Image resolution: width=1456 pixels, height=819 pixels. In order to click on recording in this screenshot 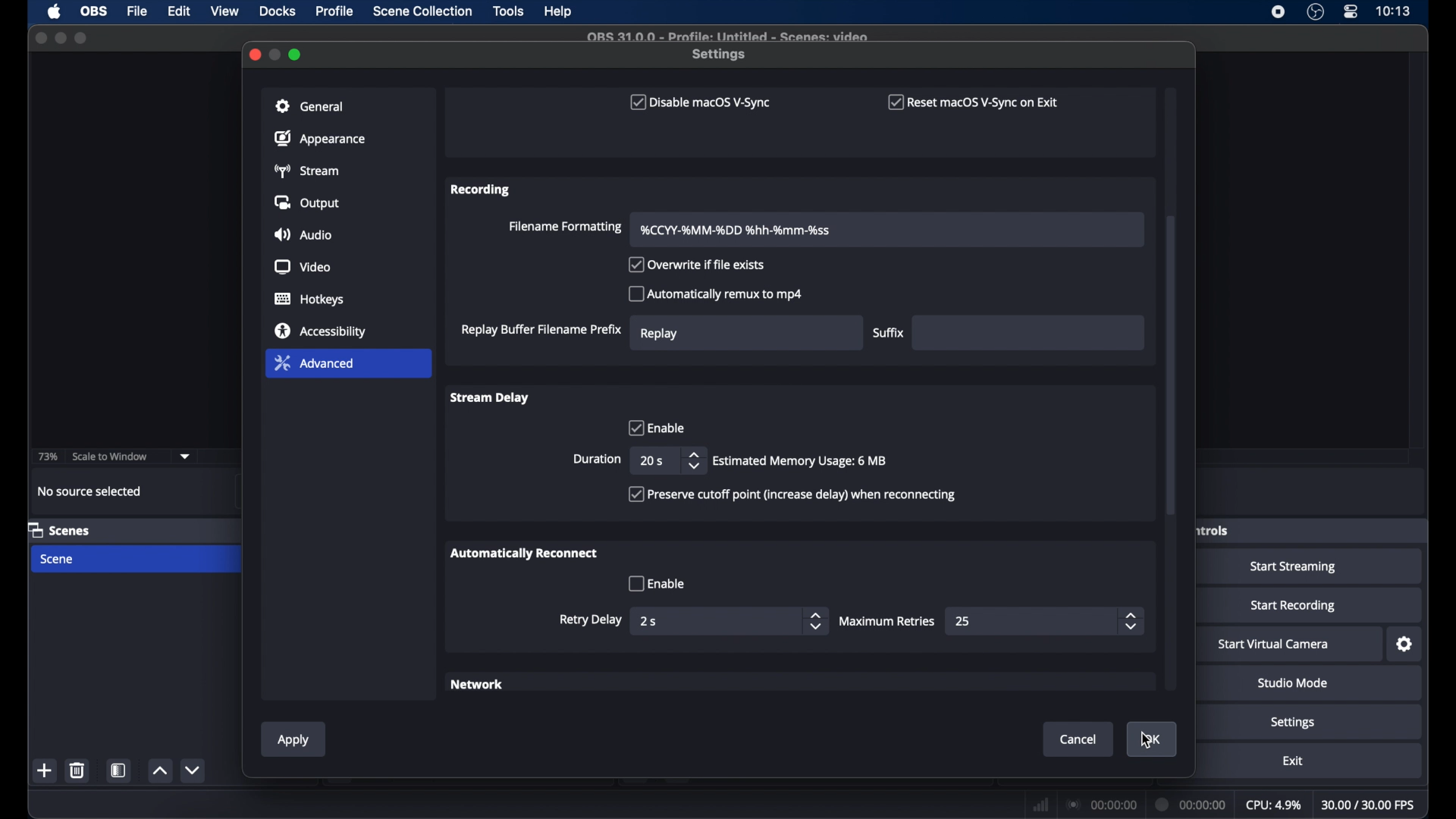, I will do `click(482, 190)`.